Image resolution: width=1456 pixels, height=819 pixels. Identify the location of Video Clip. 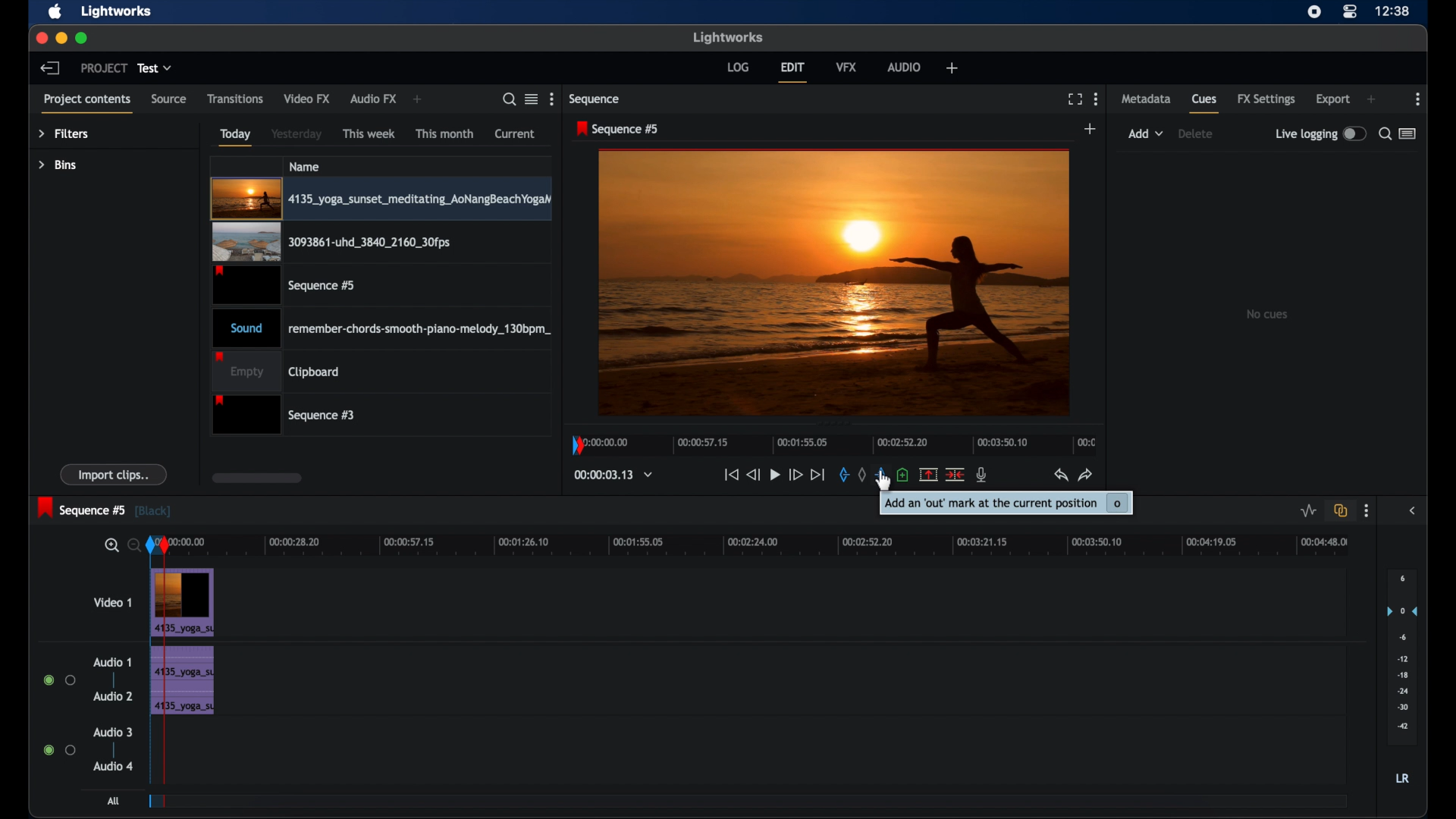
(181, 603).